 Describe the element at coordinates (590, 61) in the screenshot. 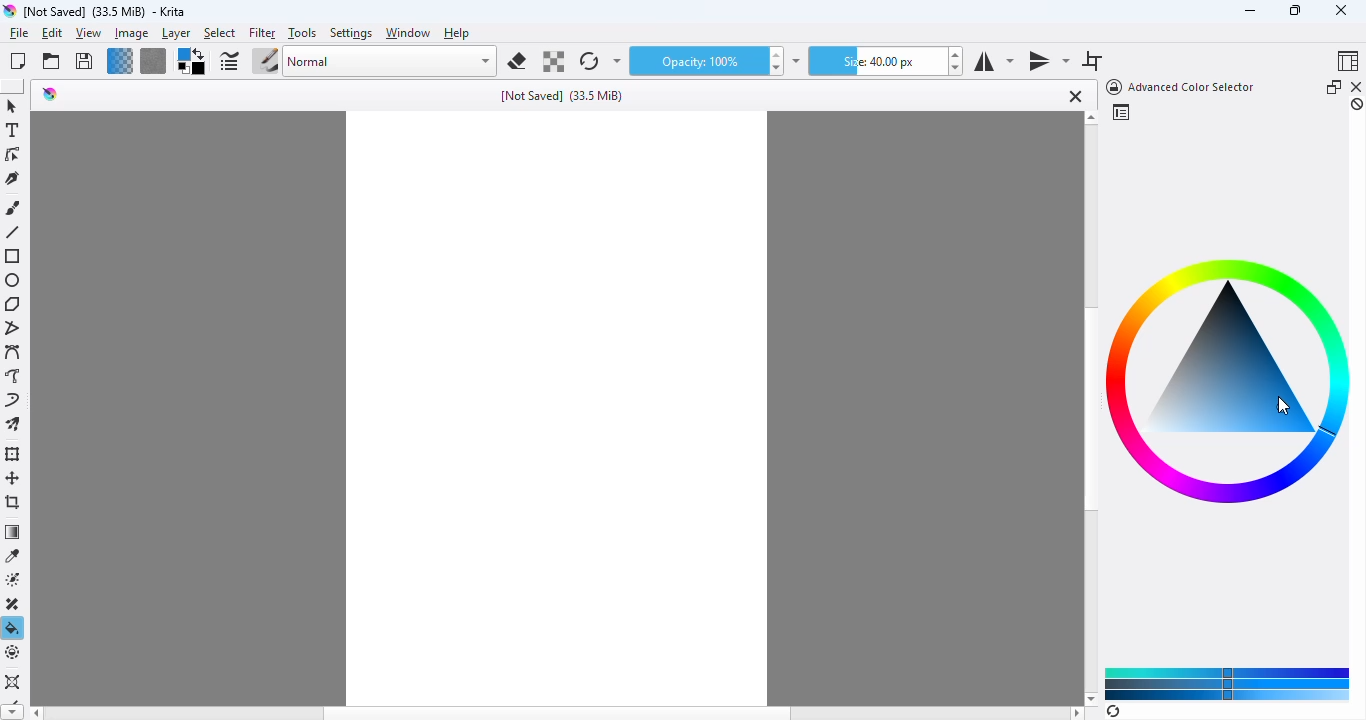

I see `reload original preset` at that location.